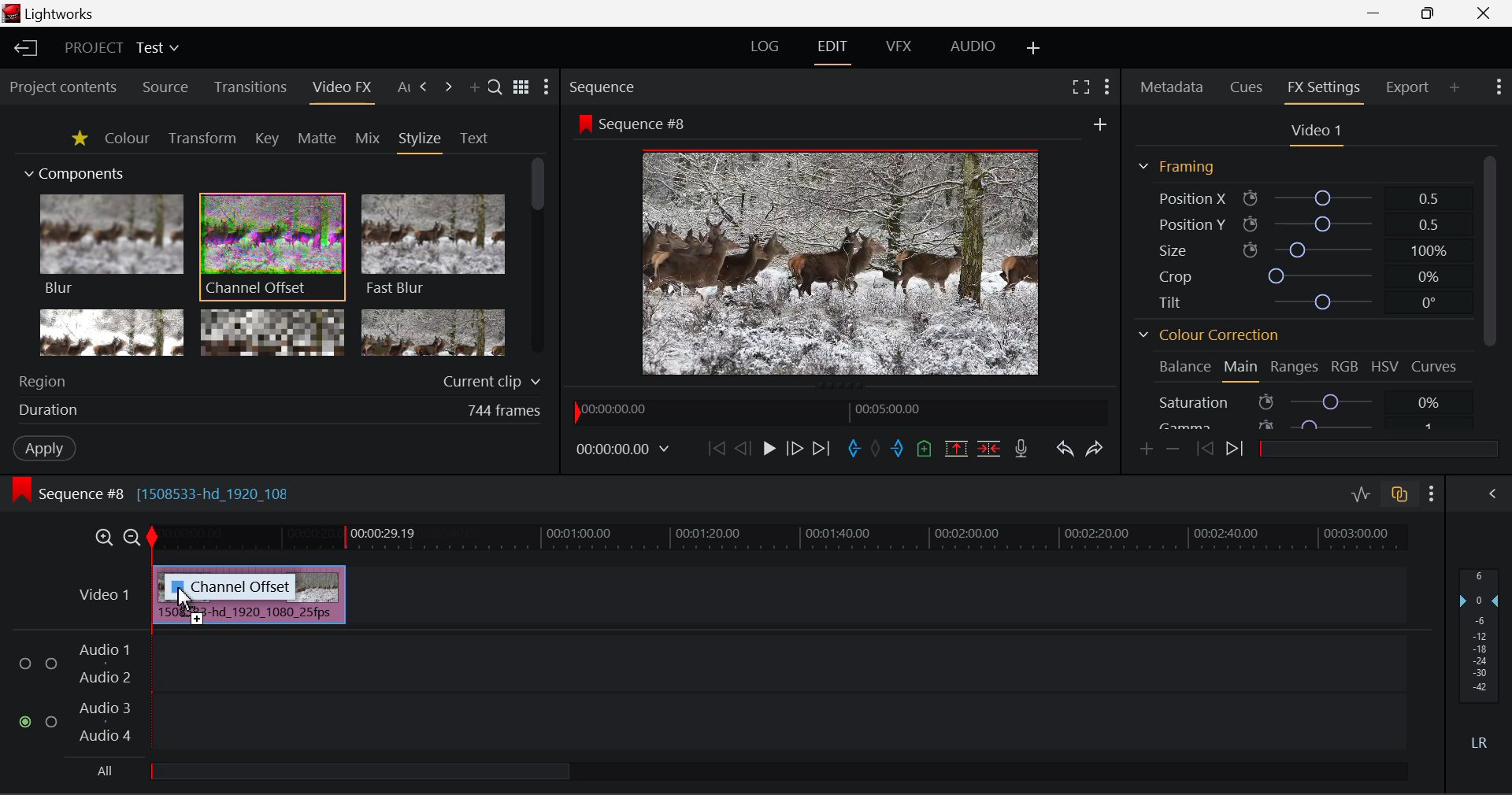 Image resolution: width=1512 pixels, height=795 pixels. What do you see at coordinates (1209, 333) in the screenshot?
I see `Colour Correction` at bounding box center [1209, 333].